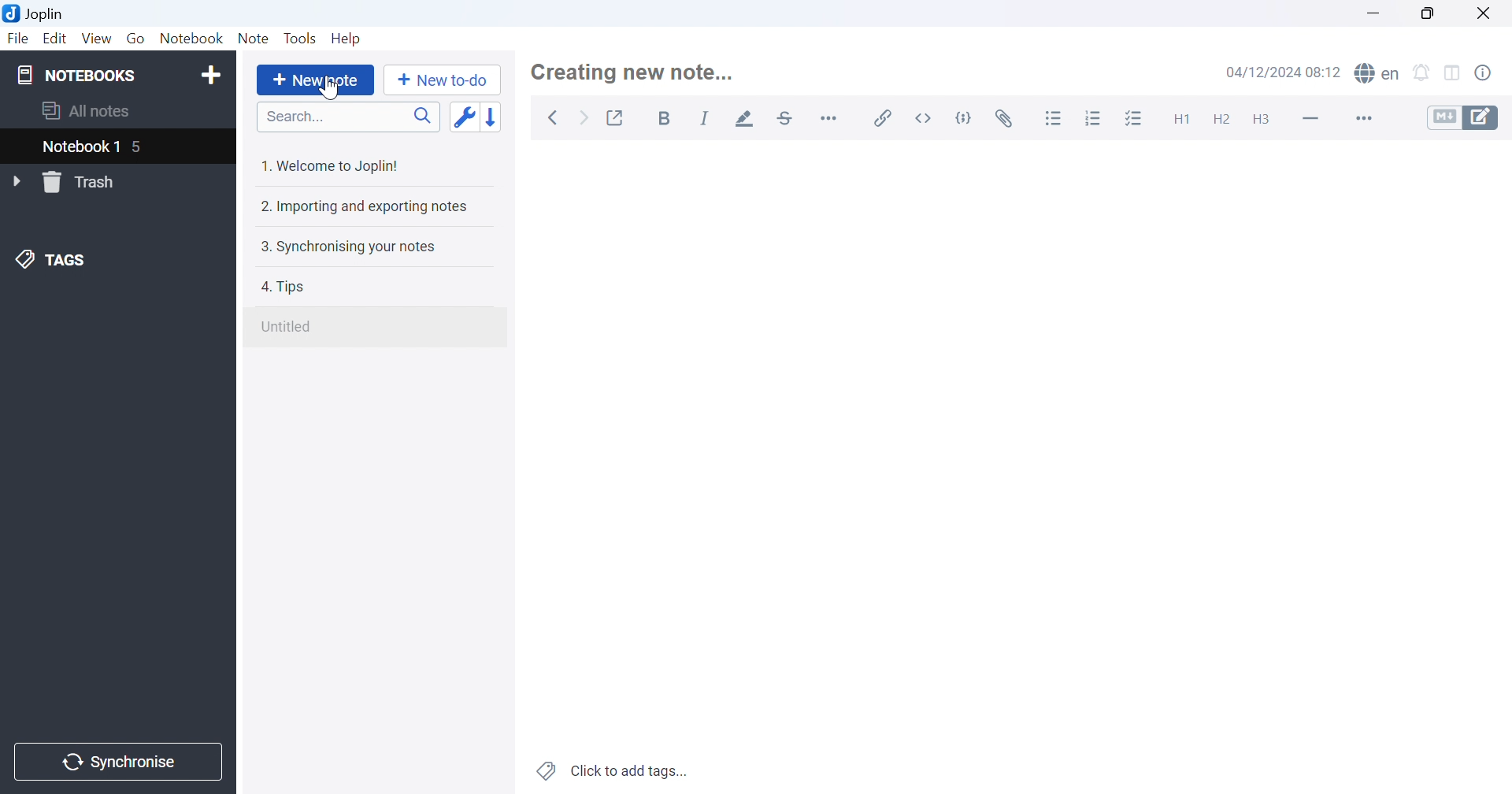 This screenshot has width=1512, height=794. What do you see at coordinates (1425, 72) in the screenshot?
I see `Set alarm` at bounding box center [1425, 72].